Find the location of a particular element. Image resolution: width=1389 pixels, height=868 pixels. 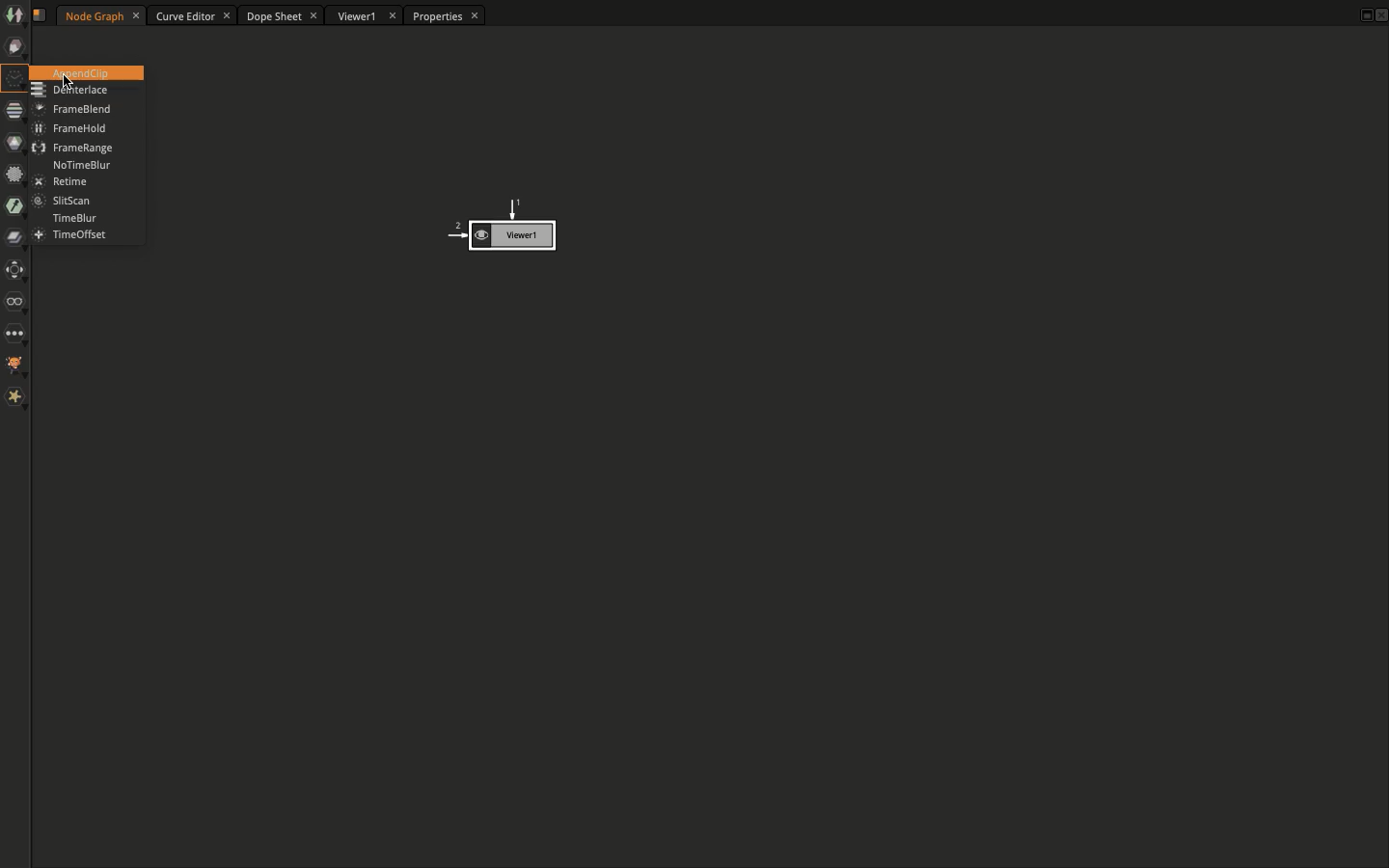

Deinterlae is located at coordinates (72, 92).